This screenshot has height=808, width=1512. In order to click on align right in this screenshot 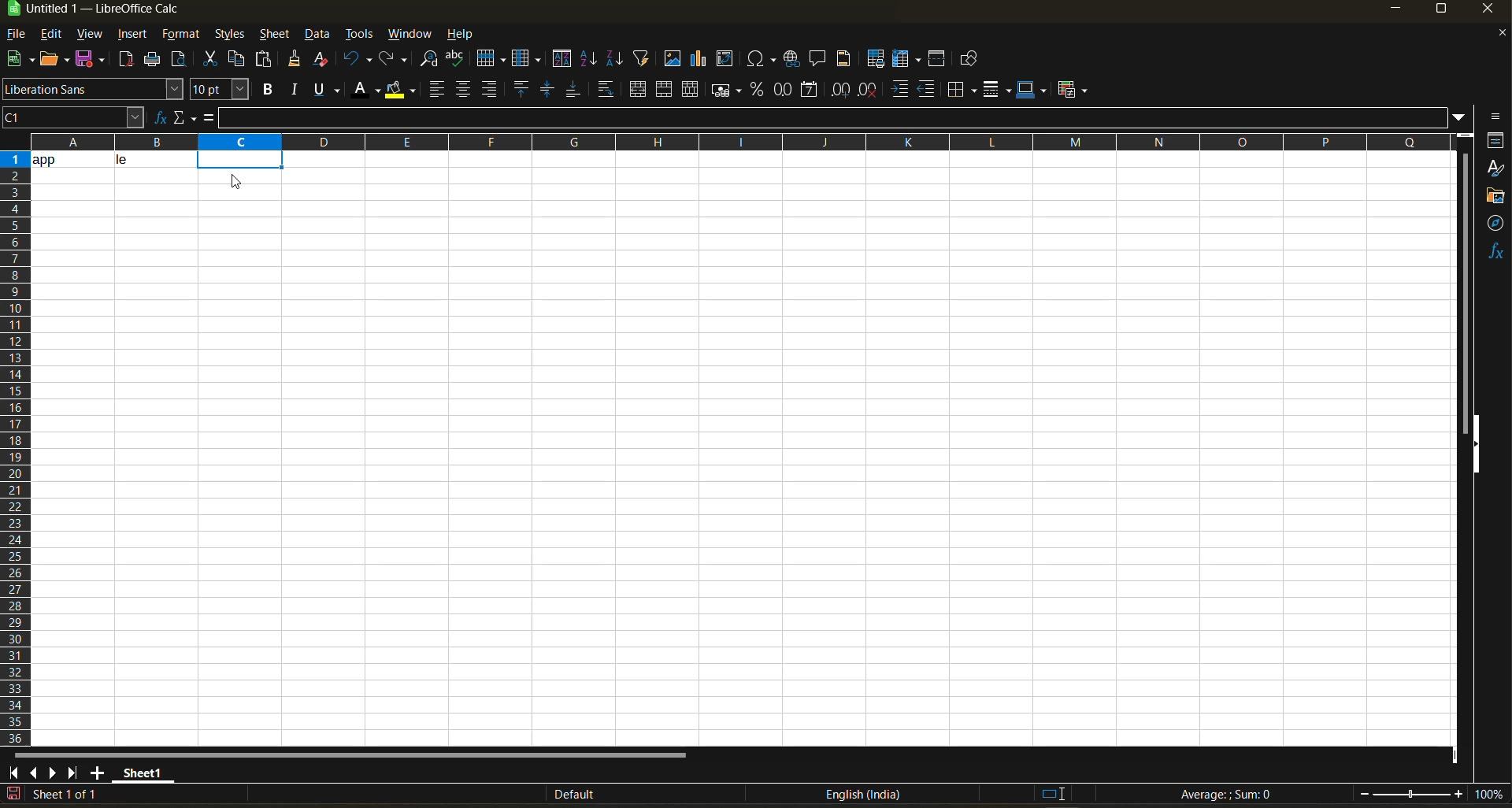, I will do `click(491, 90)`.